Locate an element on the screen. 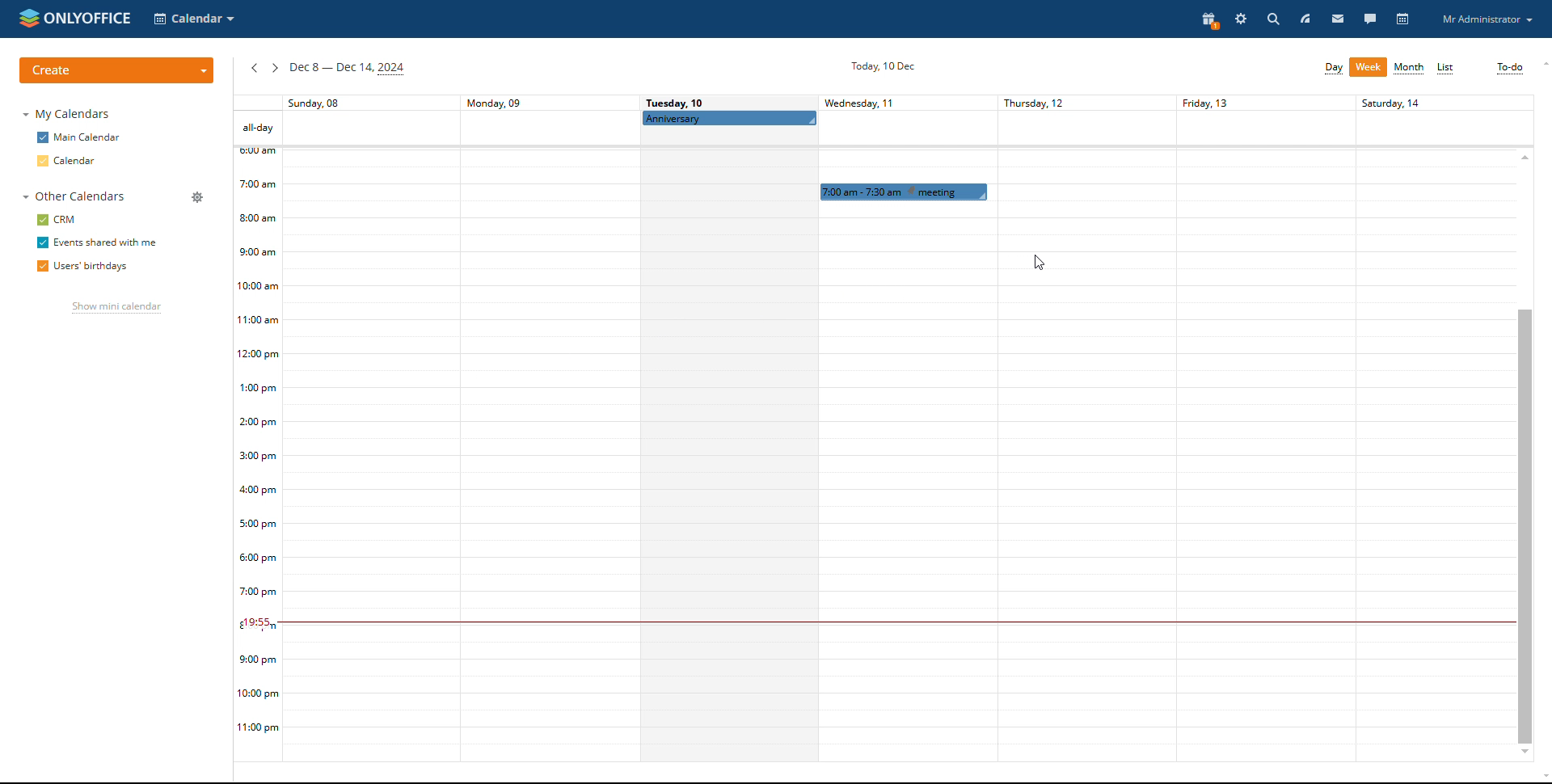 The image size is (1552, 784). onlyoffice is located at coordinates (90, 17).